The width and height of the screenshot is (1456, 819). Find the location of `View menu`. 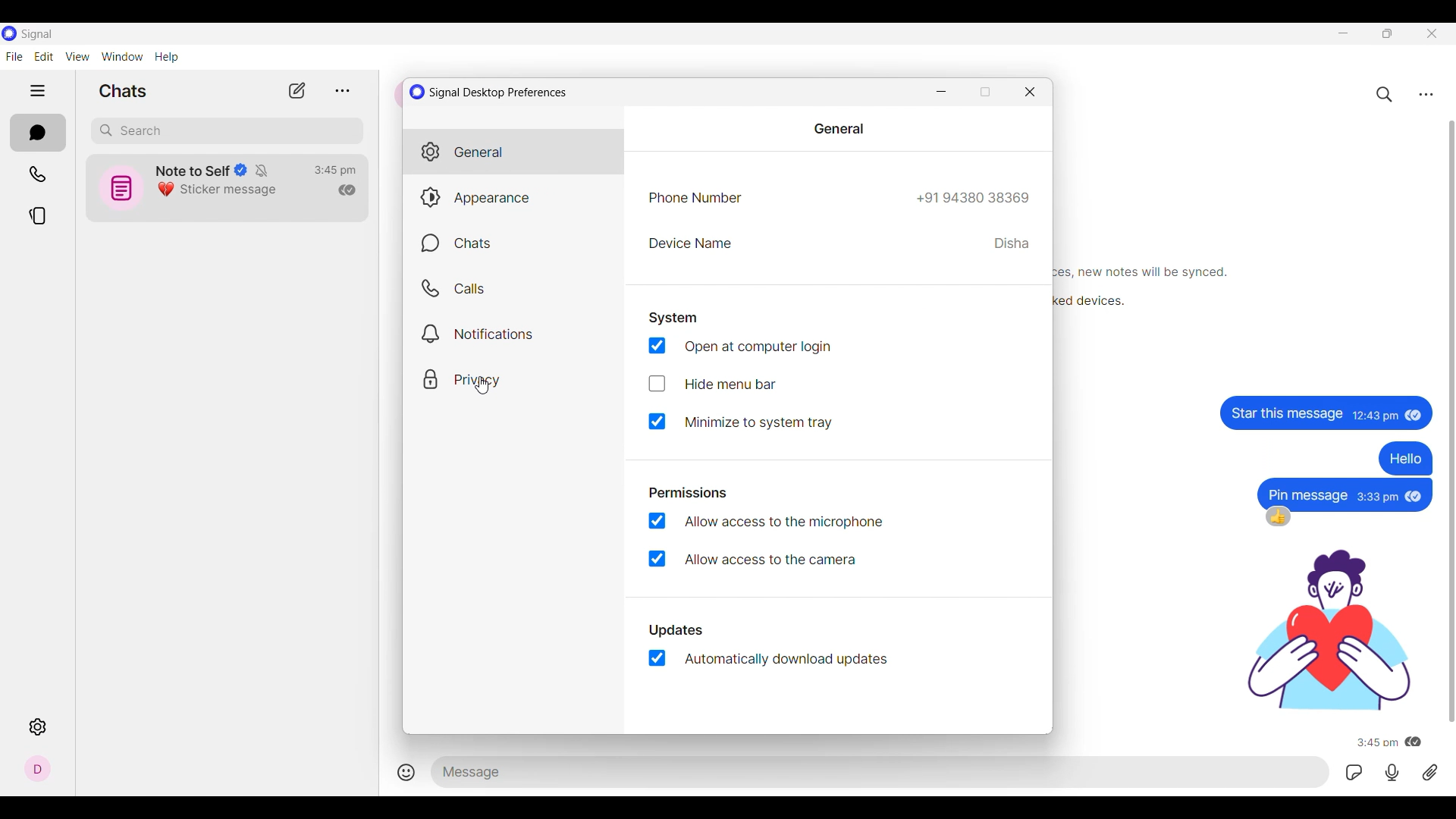

View menu is located at coordinates (78, 57).